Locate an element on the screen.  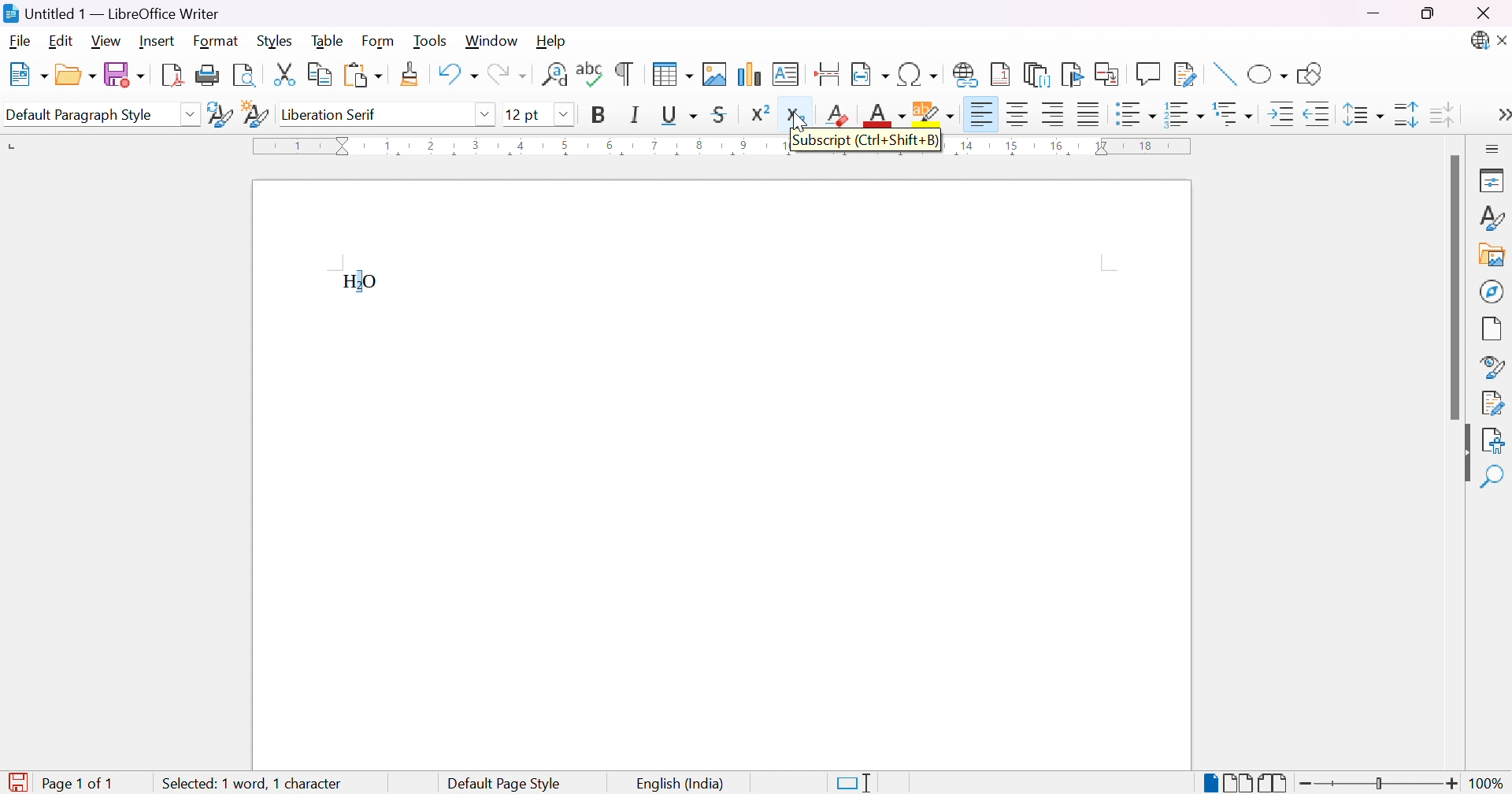
 is located at coordinates (624, 74).